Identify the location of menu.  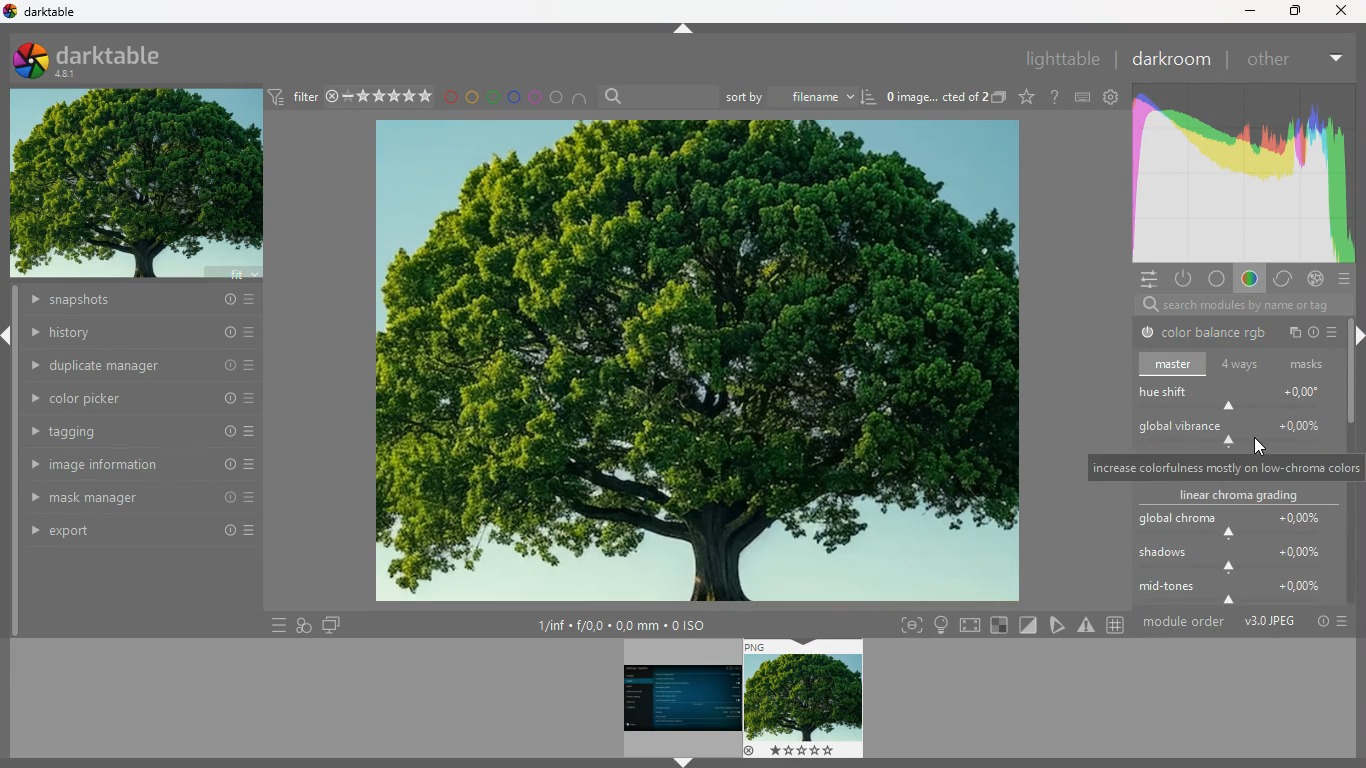
(1346, 280).